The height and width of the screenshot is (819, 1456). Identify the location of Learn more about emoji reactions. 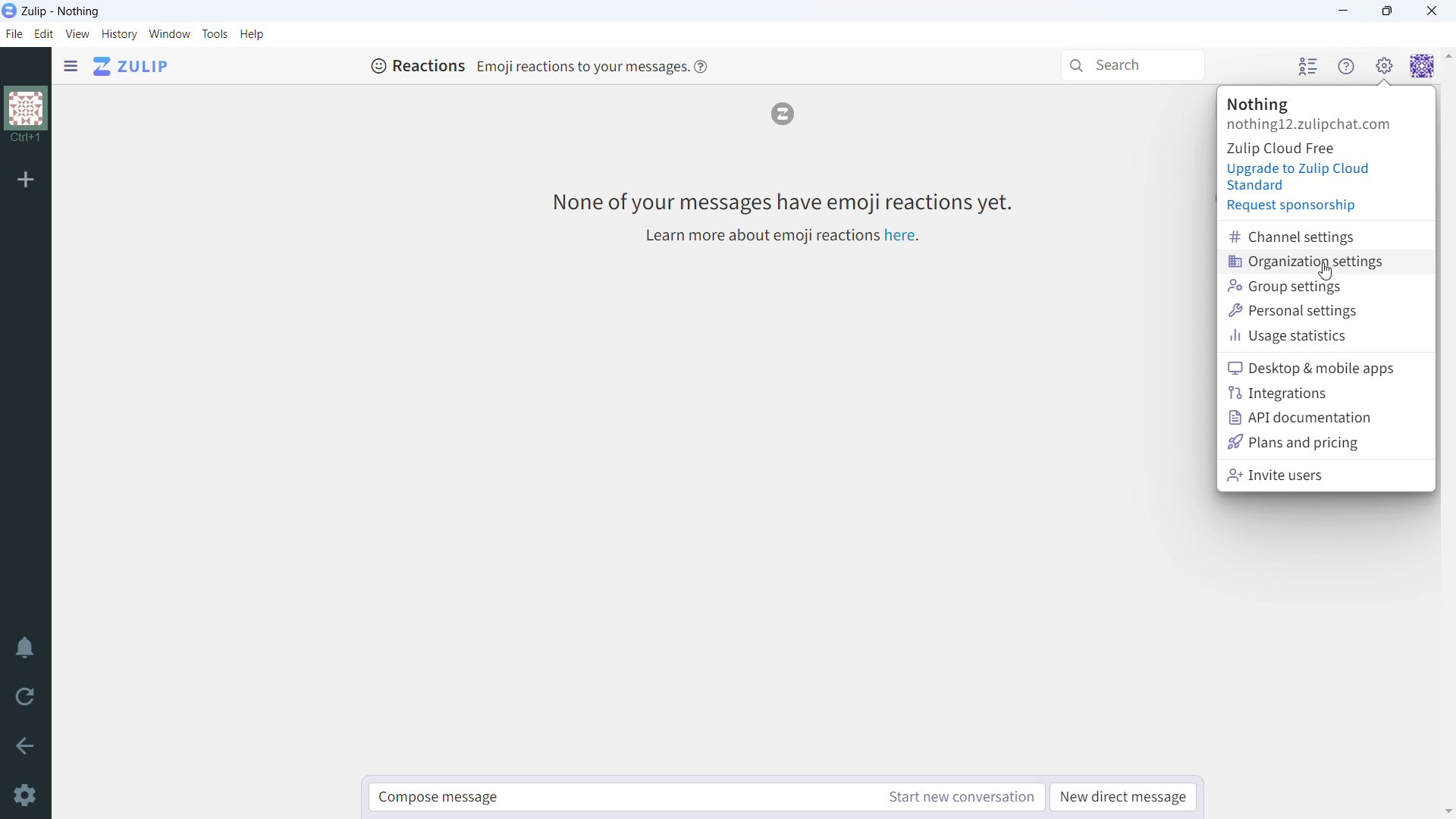
(759, 237).